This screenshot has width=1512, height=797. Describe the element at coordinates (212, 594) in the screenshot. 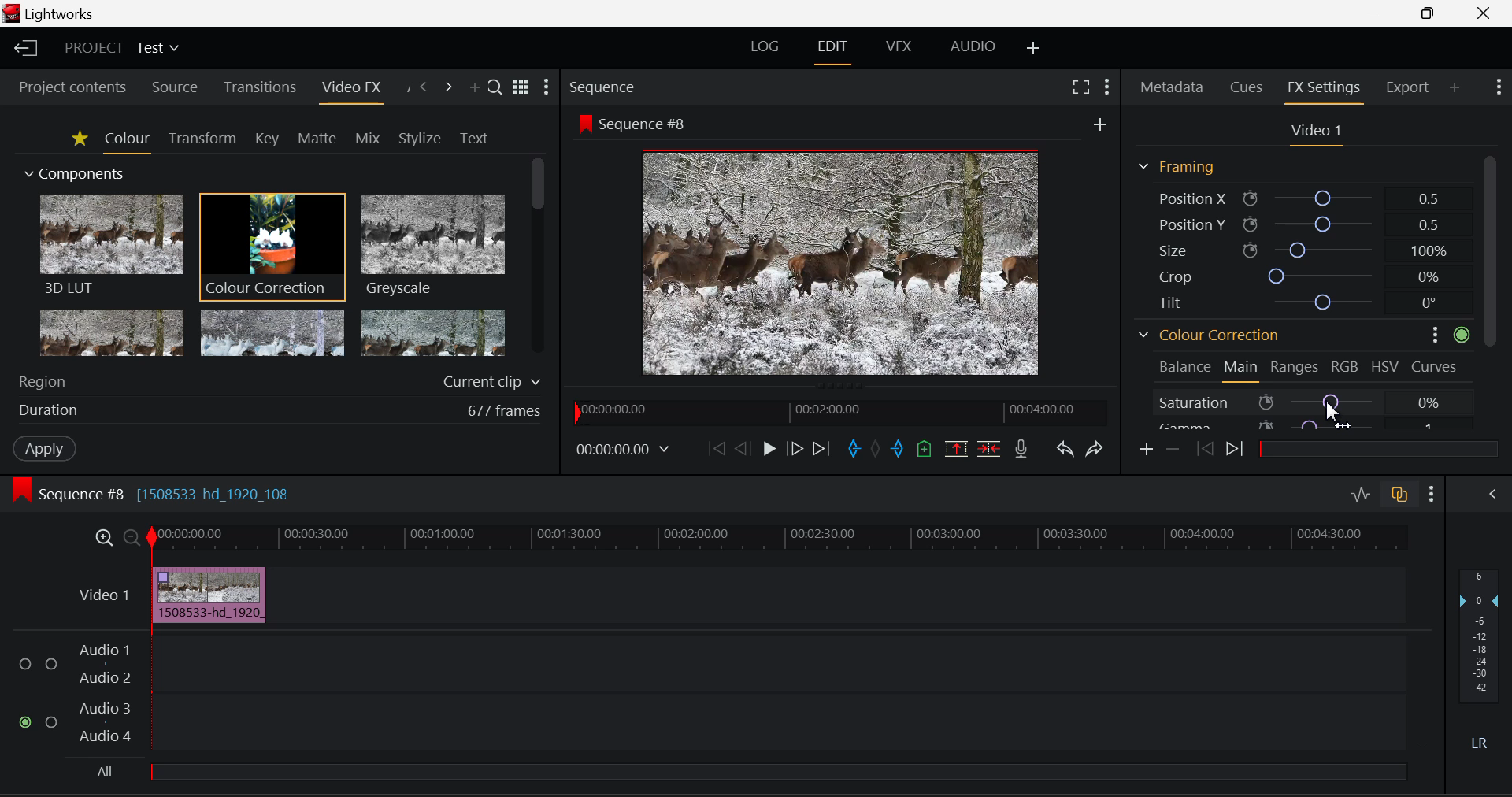

I see `Effect Applied` at that location.